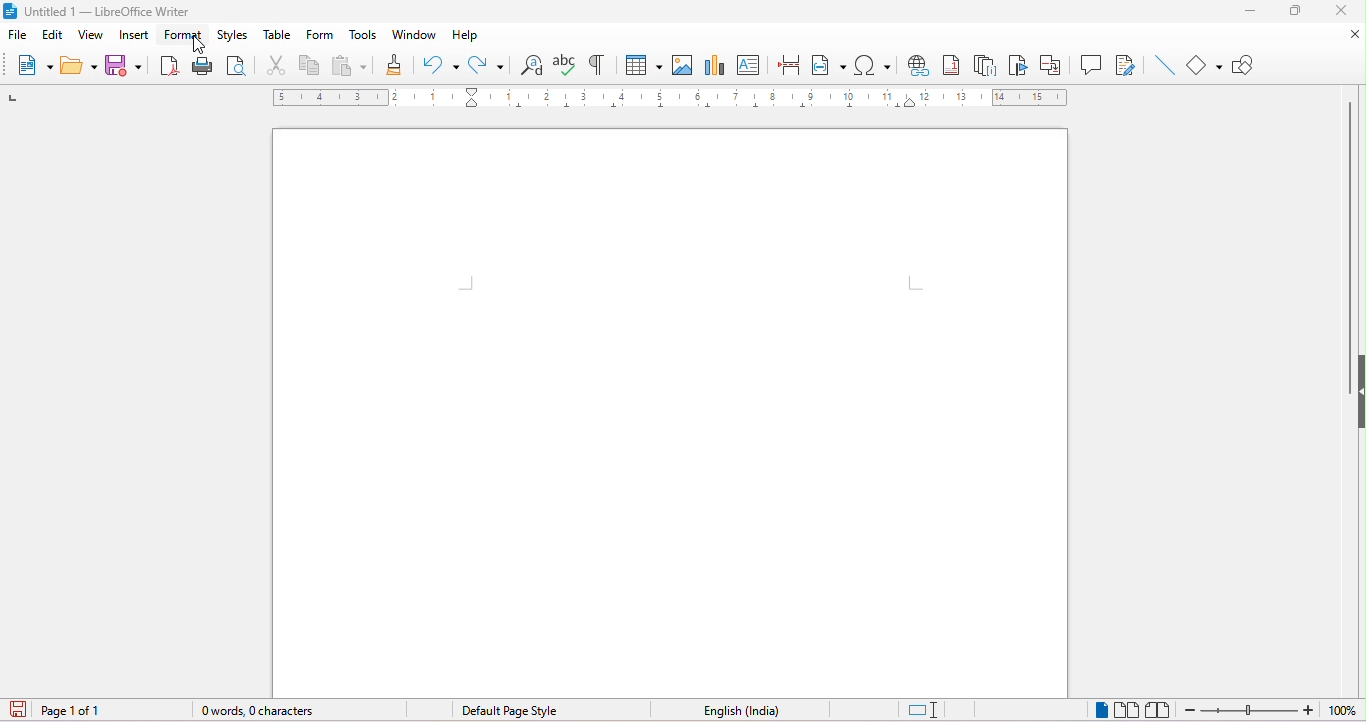 This screenshot has height=722, width=1366. Describe the element at coordinates (1122, 64) in the screenshot. I see `show track` at that location.